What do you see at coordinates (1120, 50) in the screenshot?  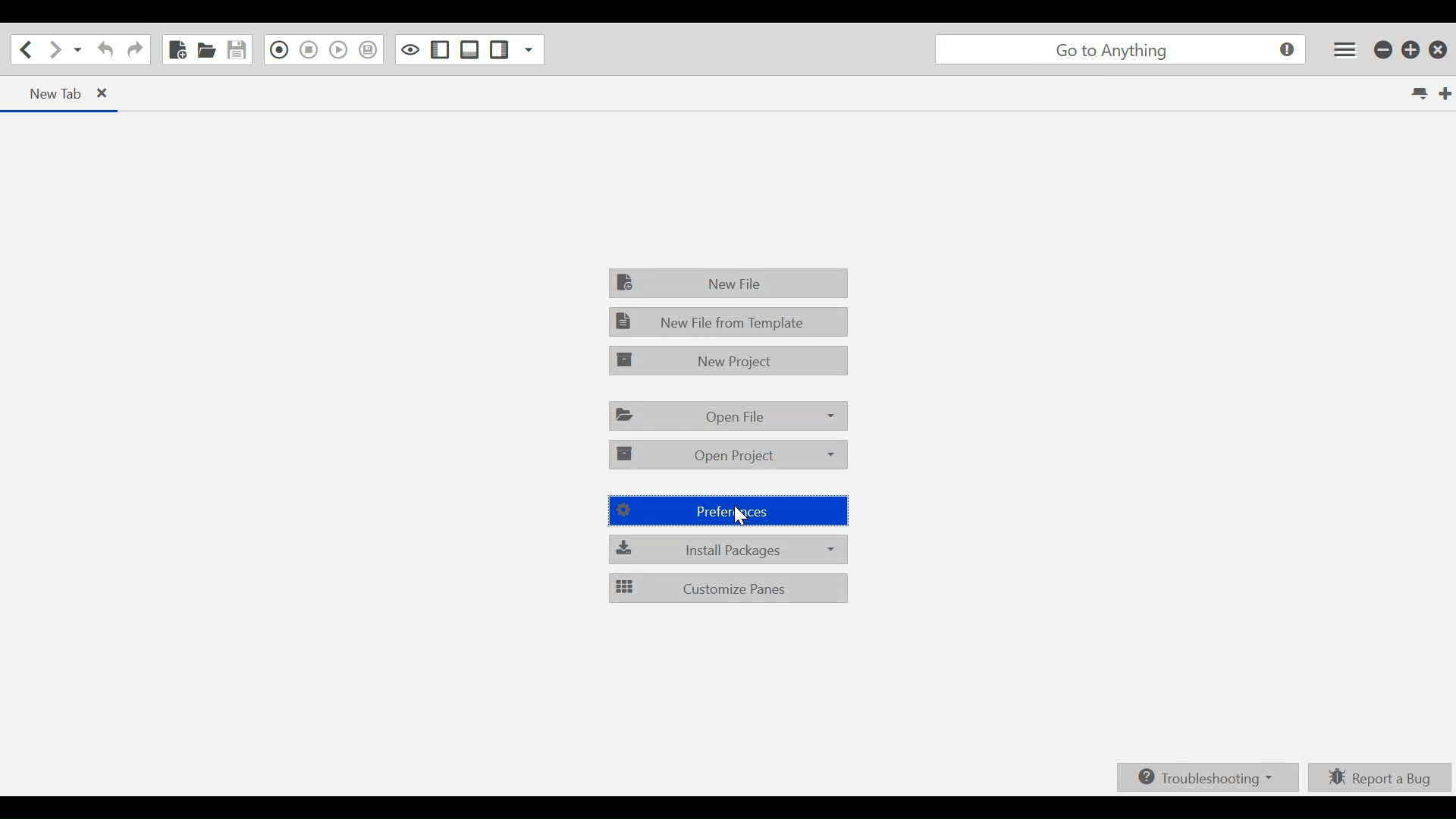 I see `go to anything` at bounding box center [1120, 50].